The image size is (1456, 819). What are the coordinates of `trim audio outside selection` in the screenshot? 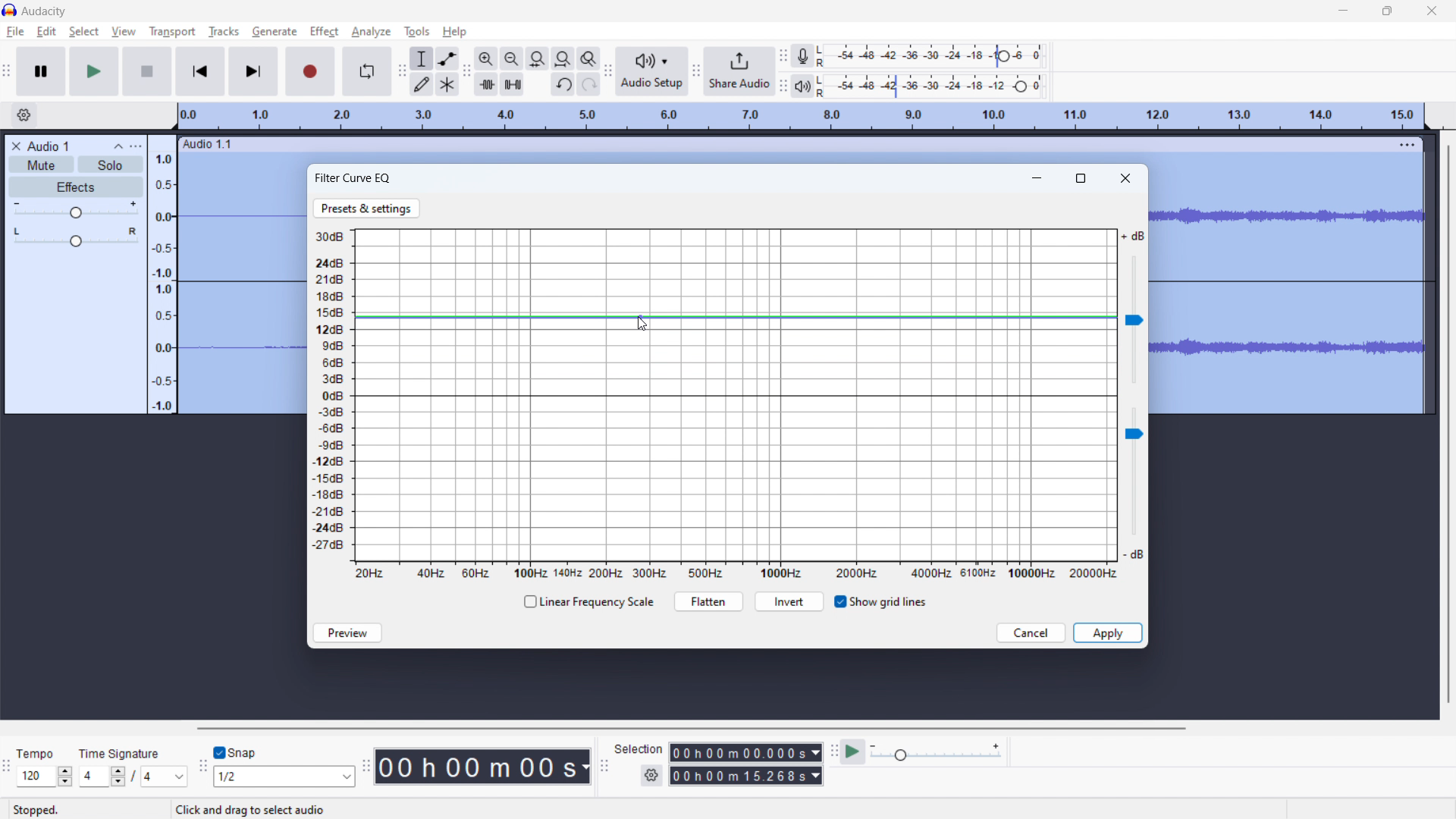 It's located at (486, 83).